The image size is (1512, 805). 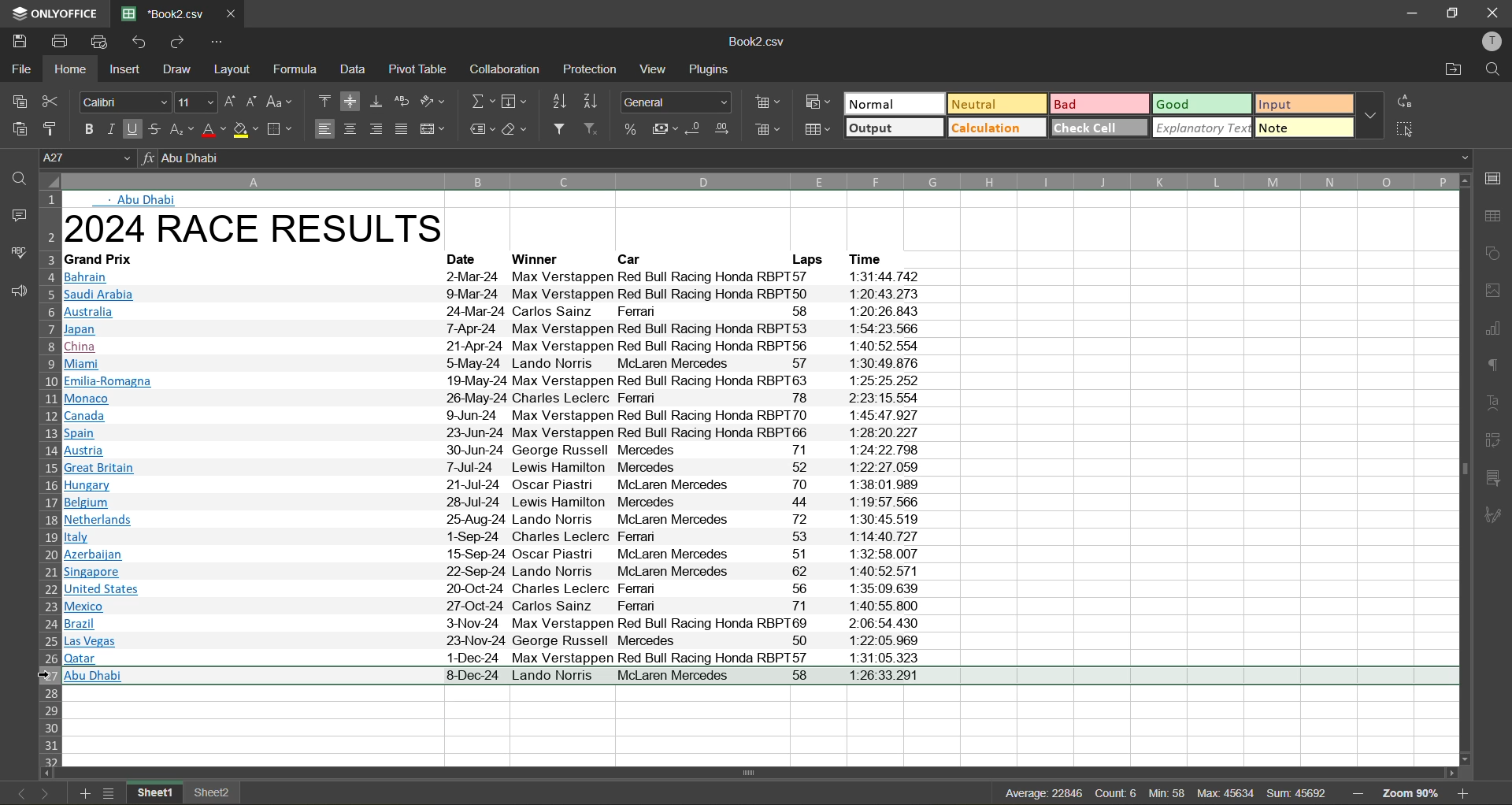 I want to click on move down, so click(x=1461, y=759).